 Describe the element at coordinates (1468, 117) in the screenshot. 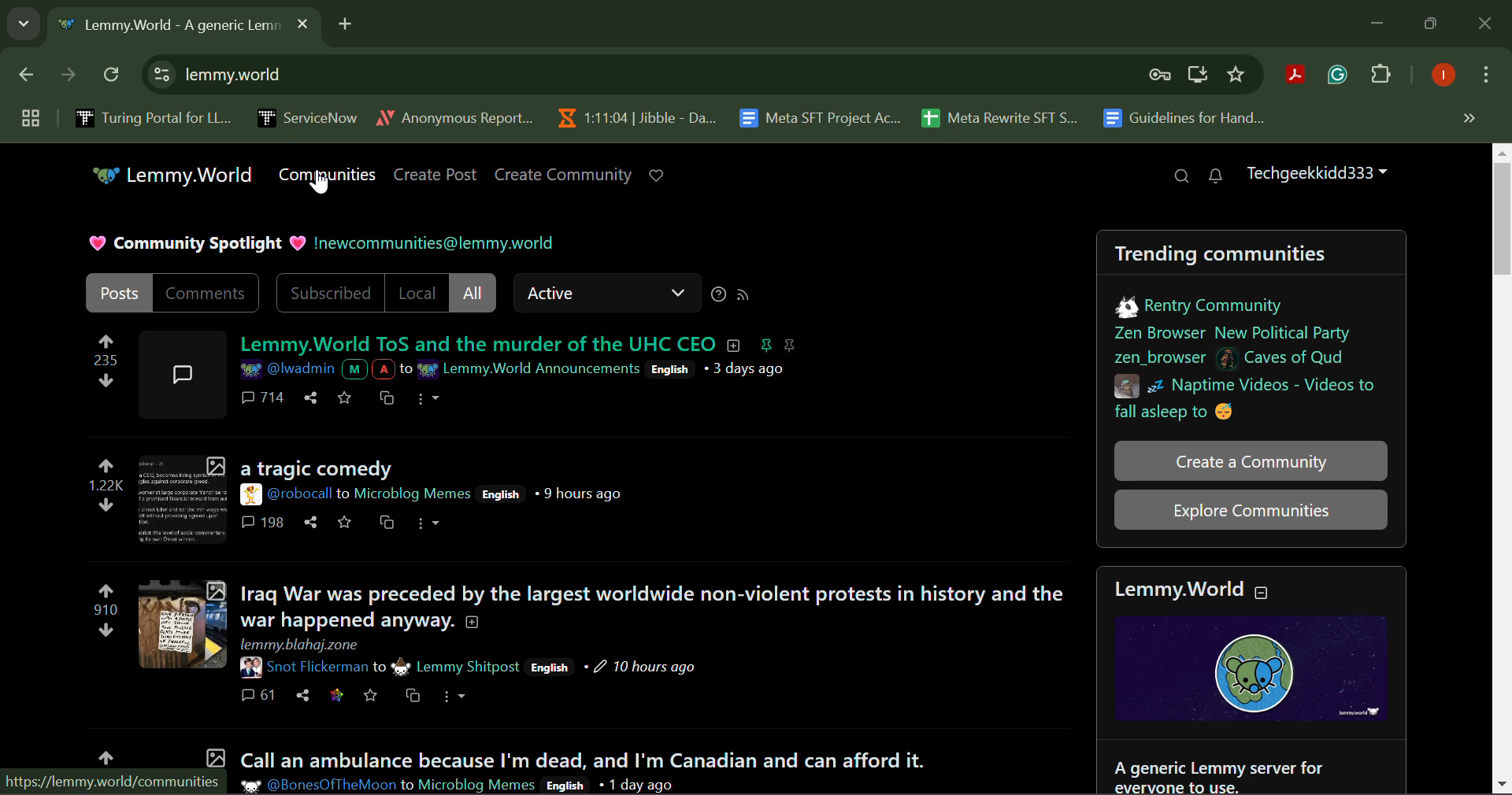

I see `Hidden Bookmarks` at that location.